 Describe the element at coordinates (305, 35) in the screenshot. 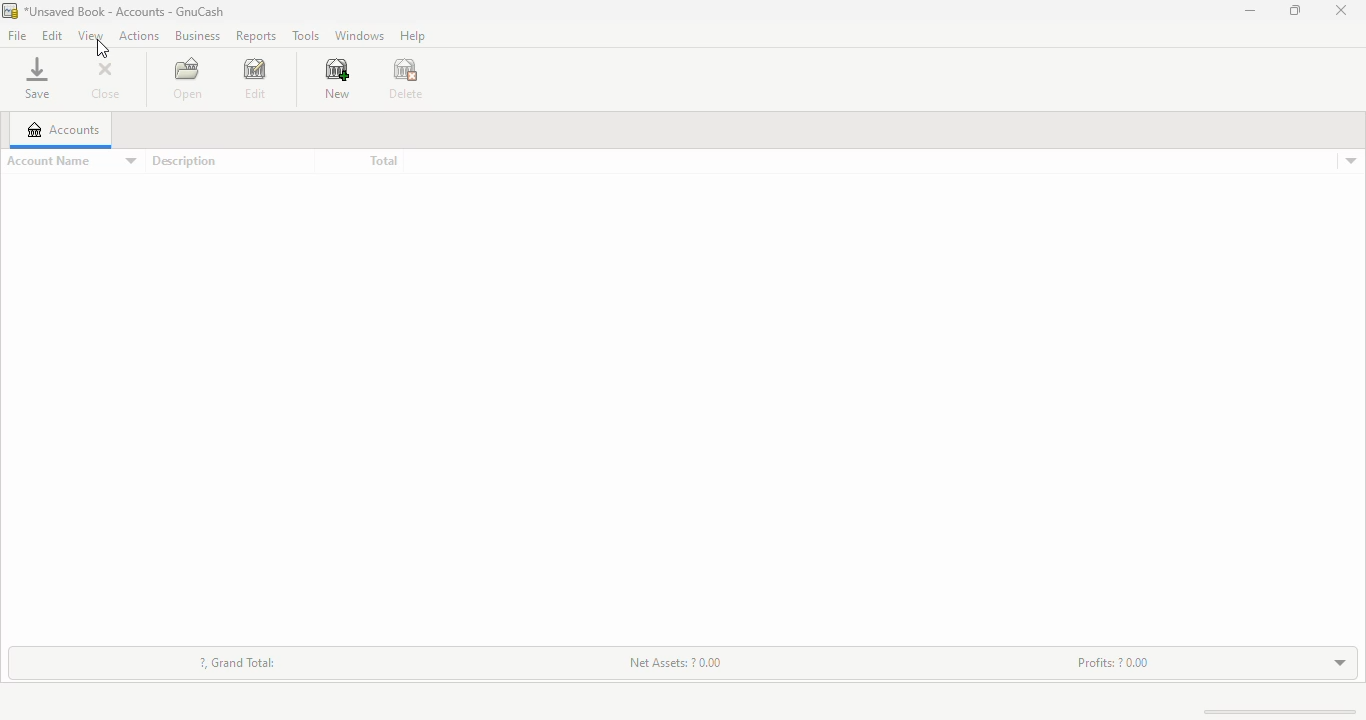

I see `tools` at that location.